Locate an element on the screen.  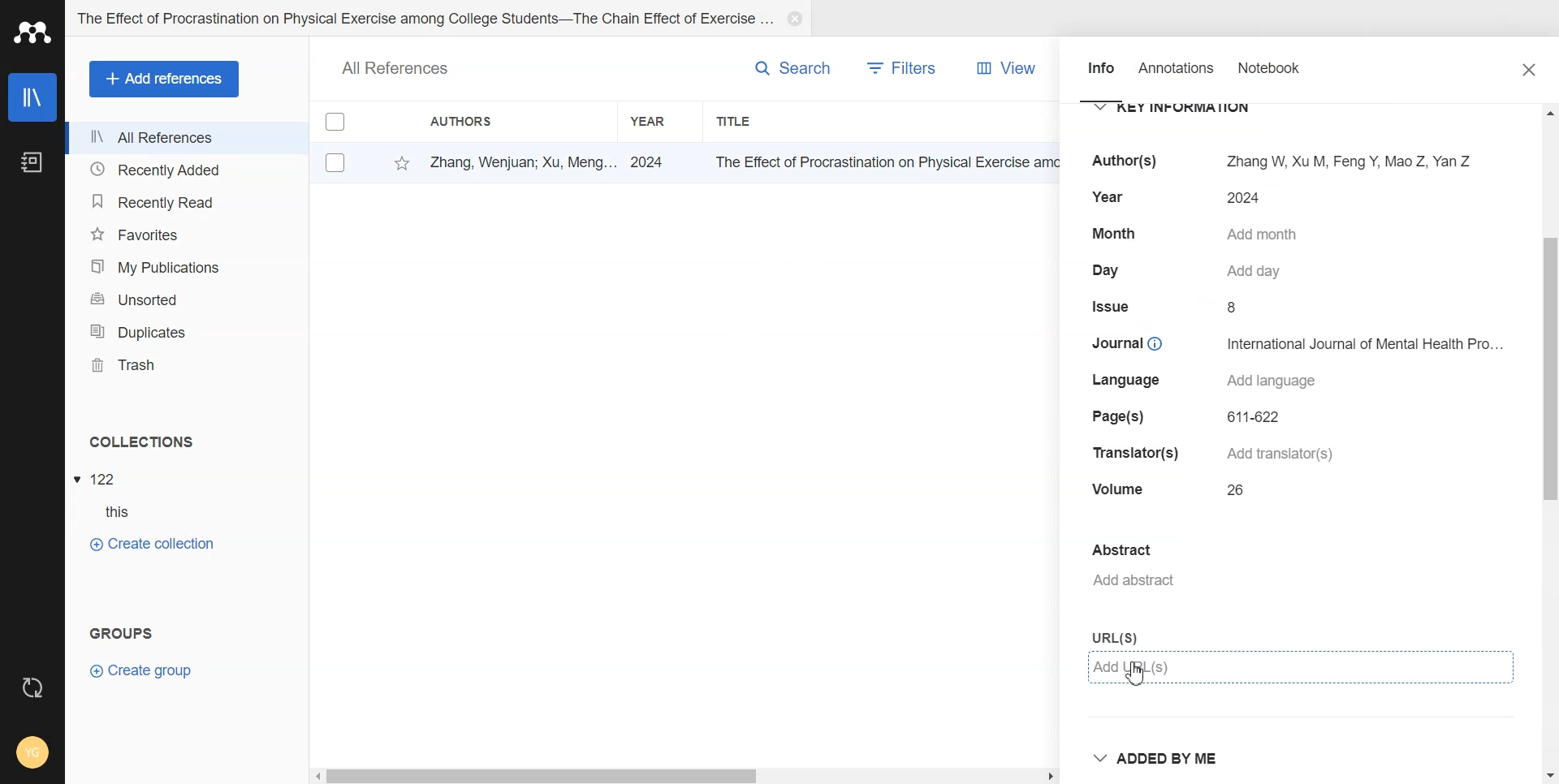
Recently Read is located at coordinates (186, 200).